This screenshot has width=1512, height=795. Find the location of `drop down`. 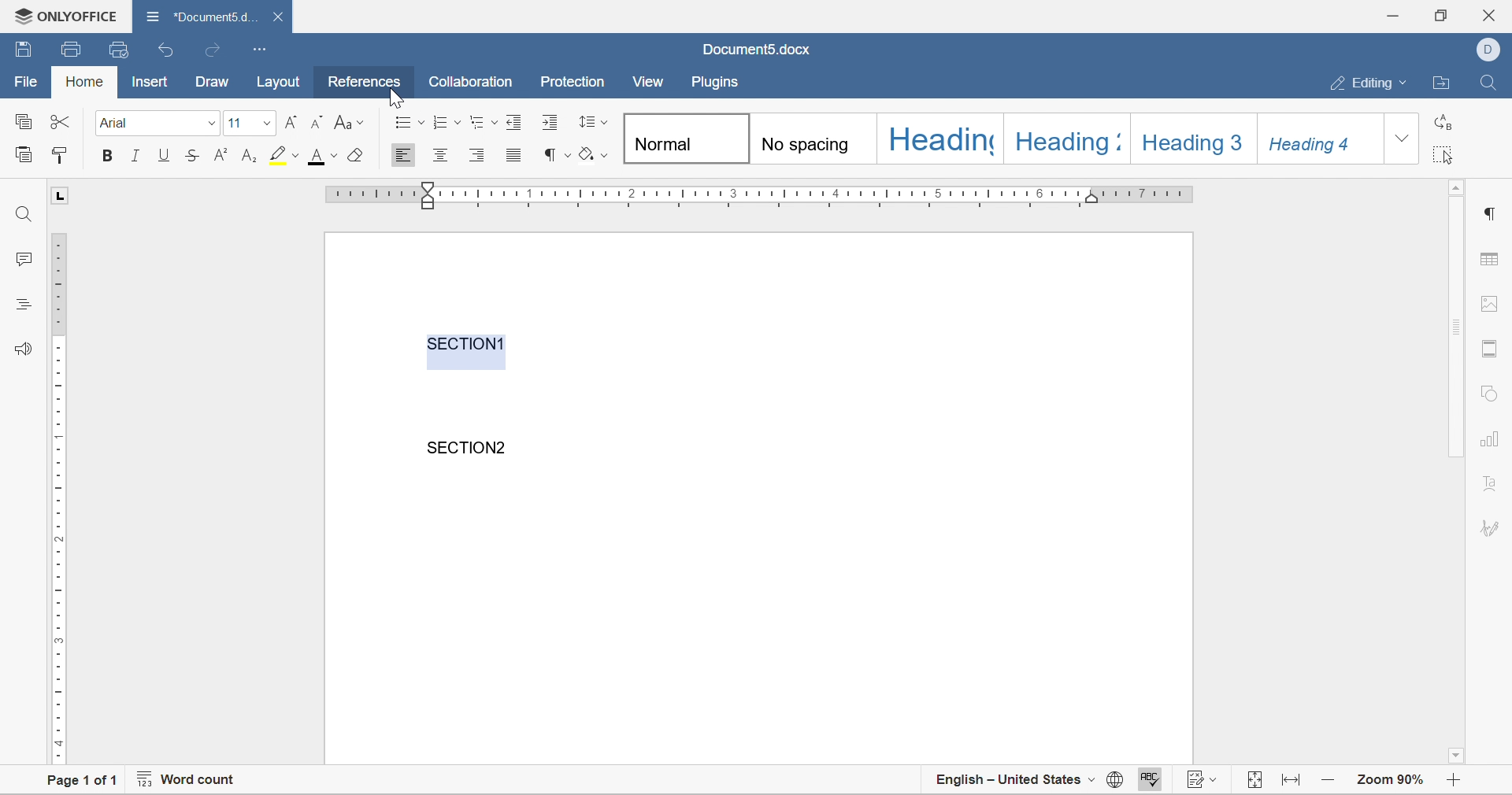

drop down is located at coordinates (211, 124).